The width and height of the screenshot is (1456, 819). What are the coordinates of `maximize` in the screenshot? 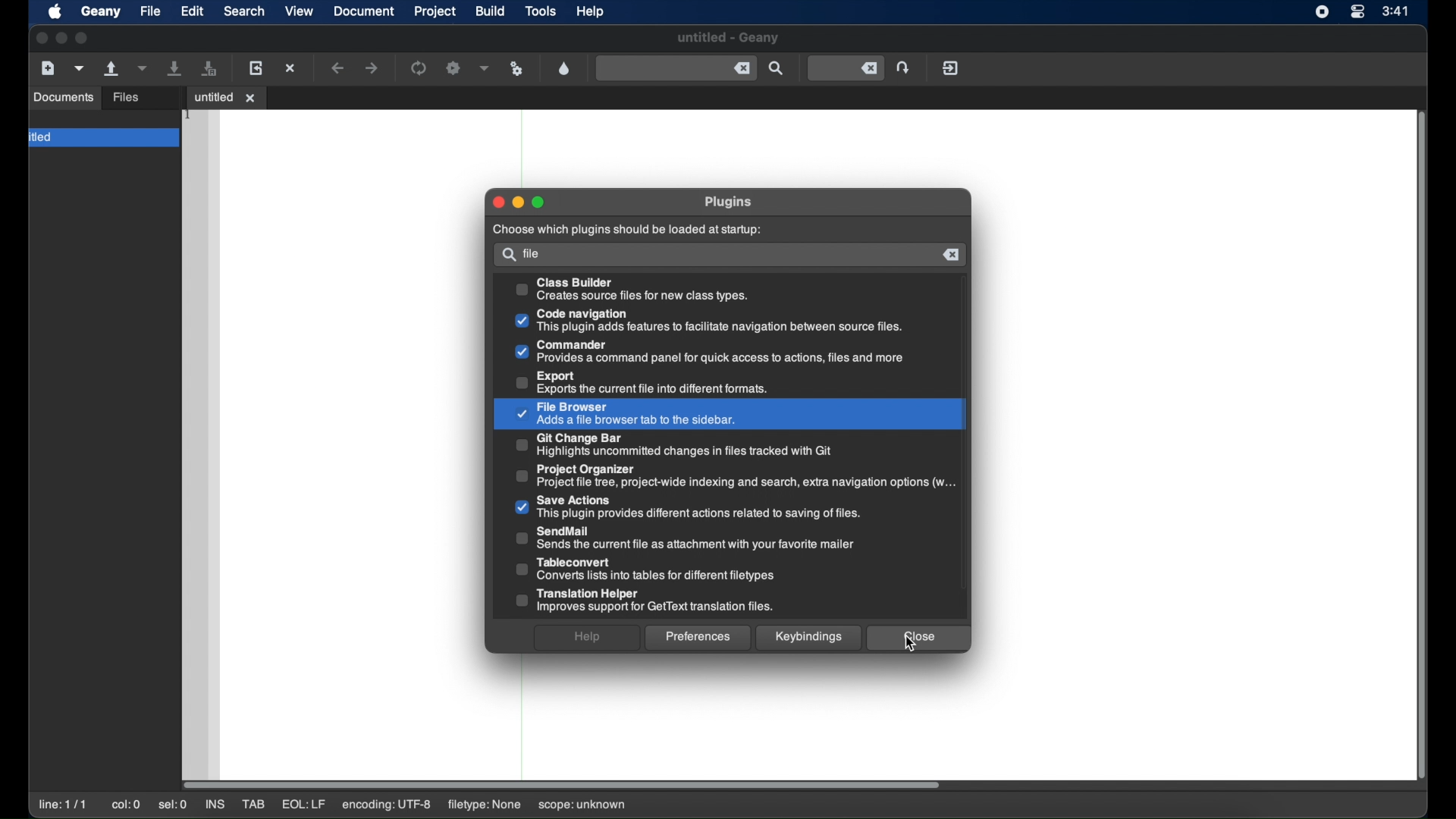 It's located at (82, 38).